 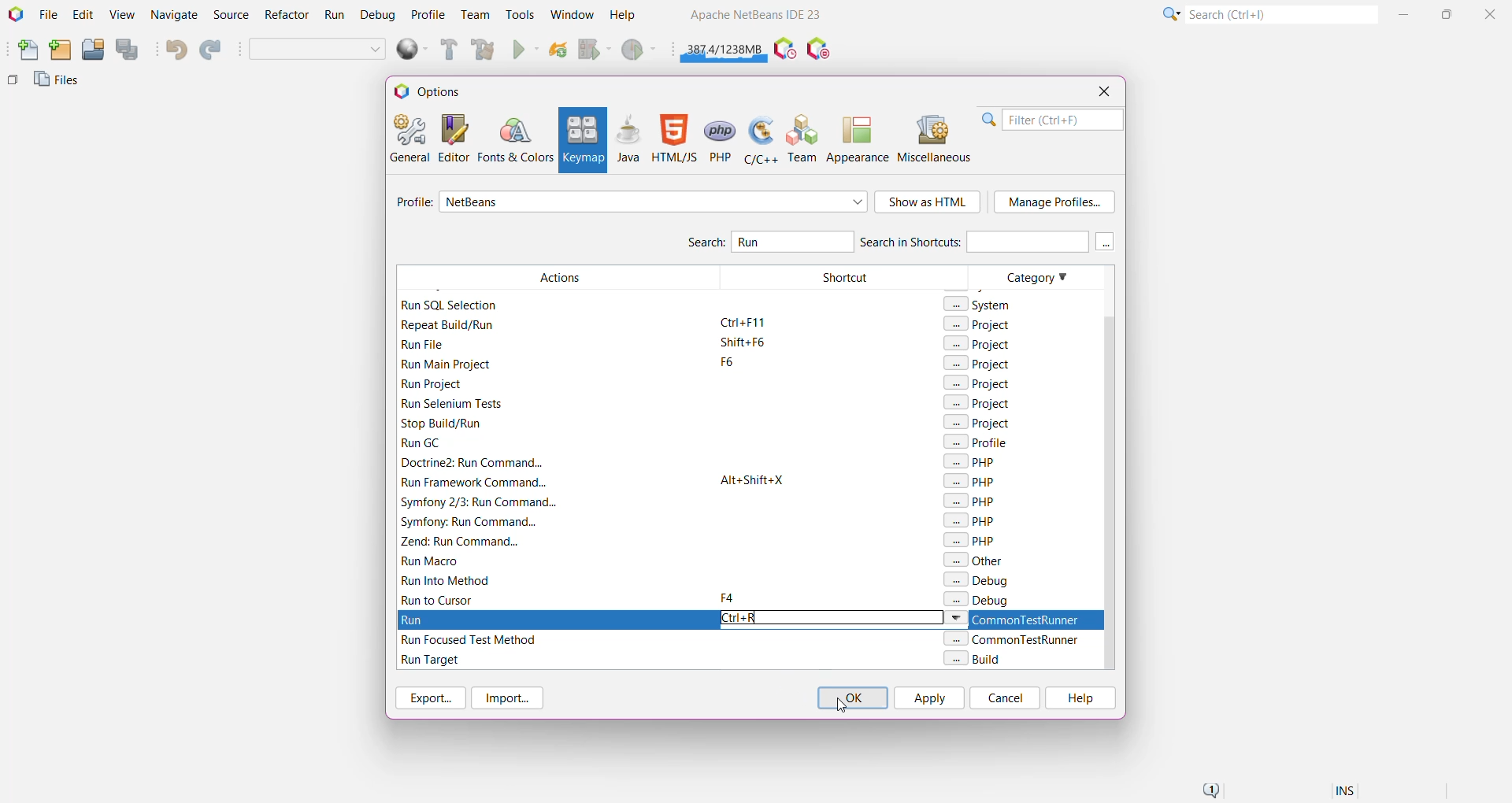 I want to click on Shortcut, so click(x=845, y=436).